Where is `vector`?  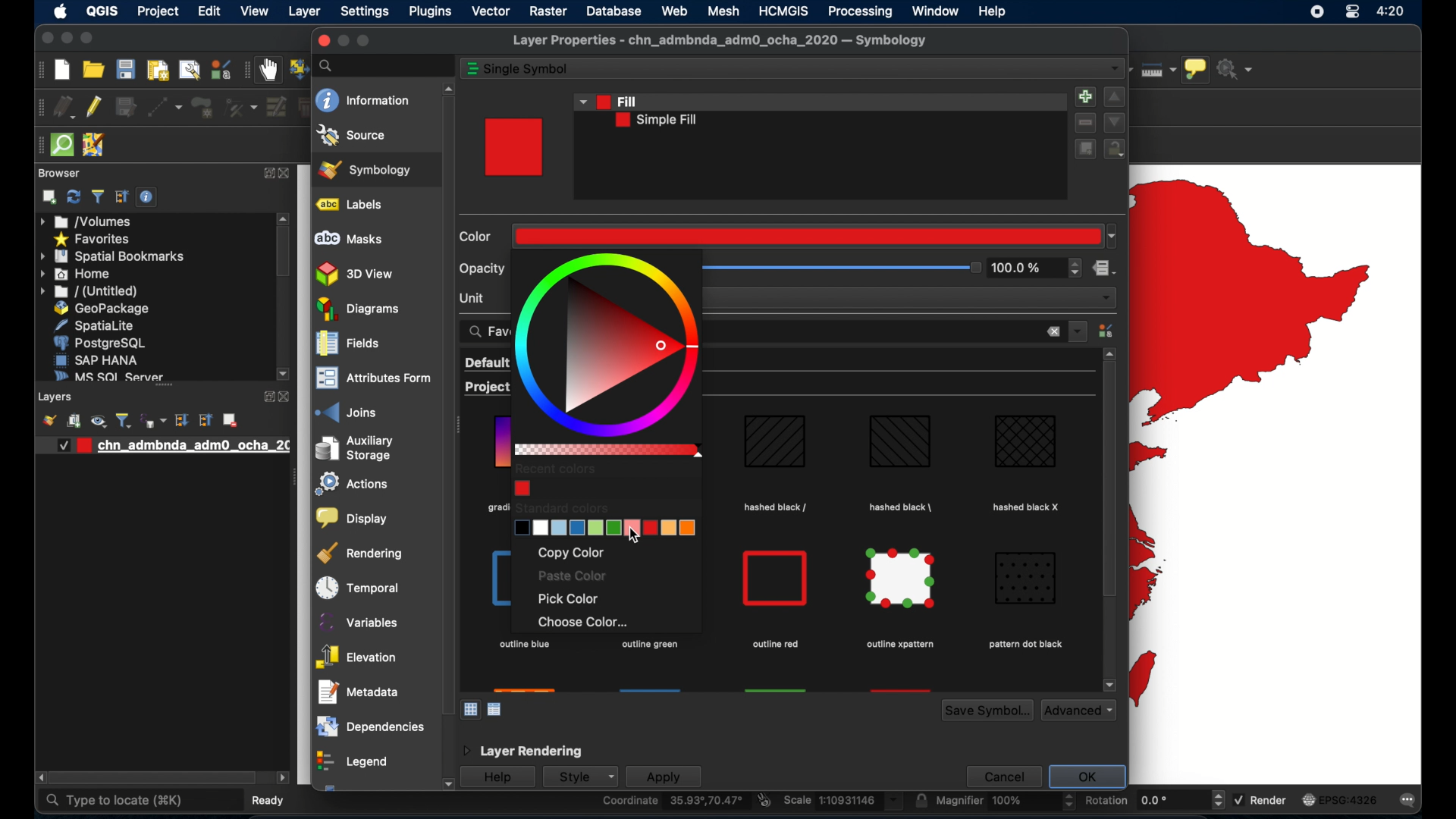
vector is located at coordinates (491, 11).